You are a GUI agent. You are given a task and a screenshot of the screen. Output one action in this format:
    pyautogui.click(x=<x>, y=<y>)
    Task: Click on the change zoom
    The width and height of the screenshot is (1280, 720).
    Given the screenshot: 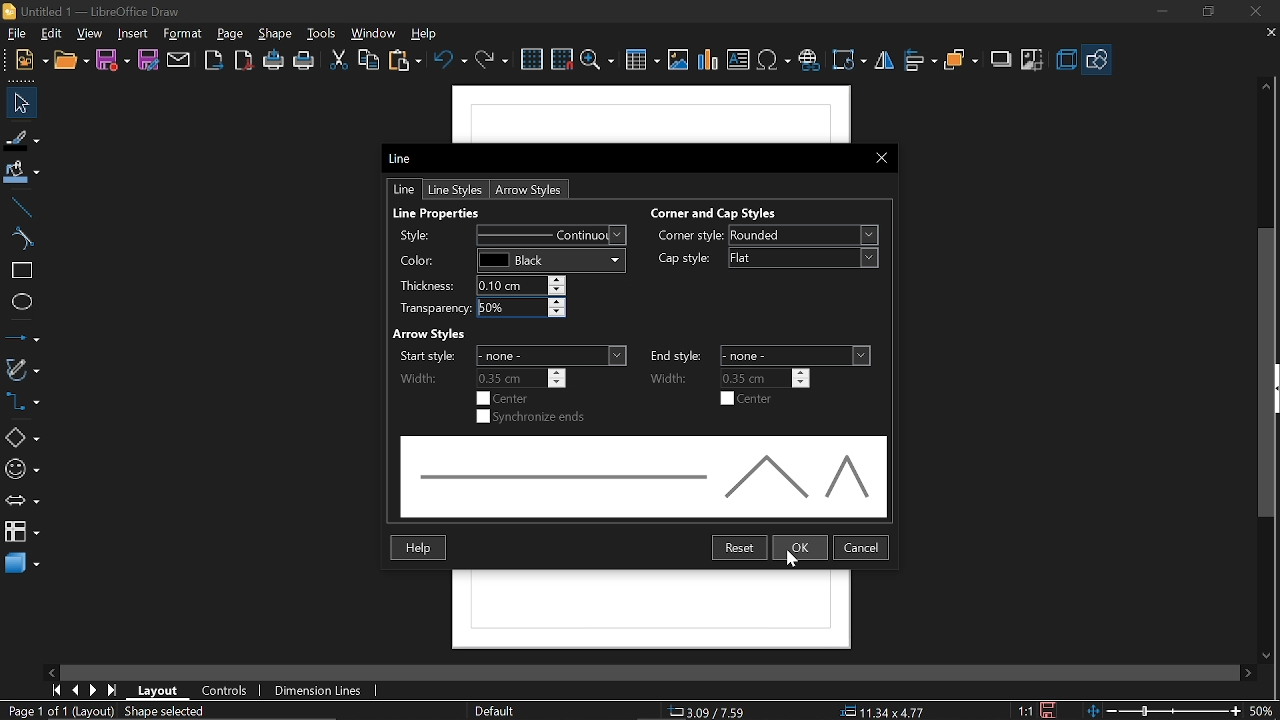 What is the action you would take?
    pyautogui.click(x=1162, y=711)
    